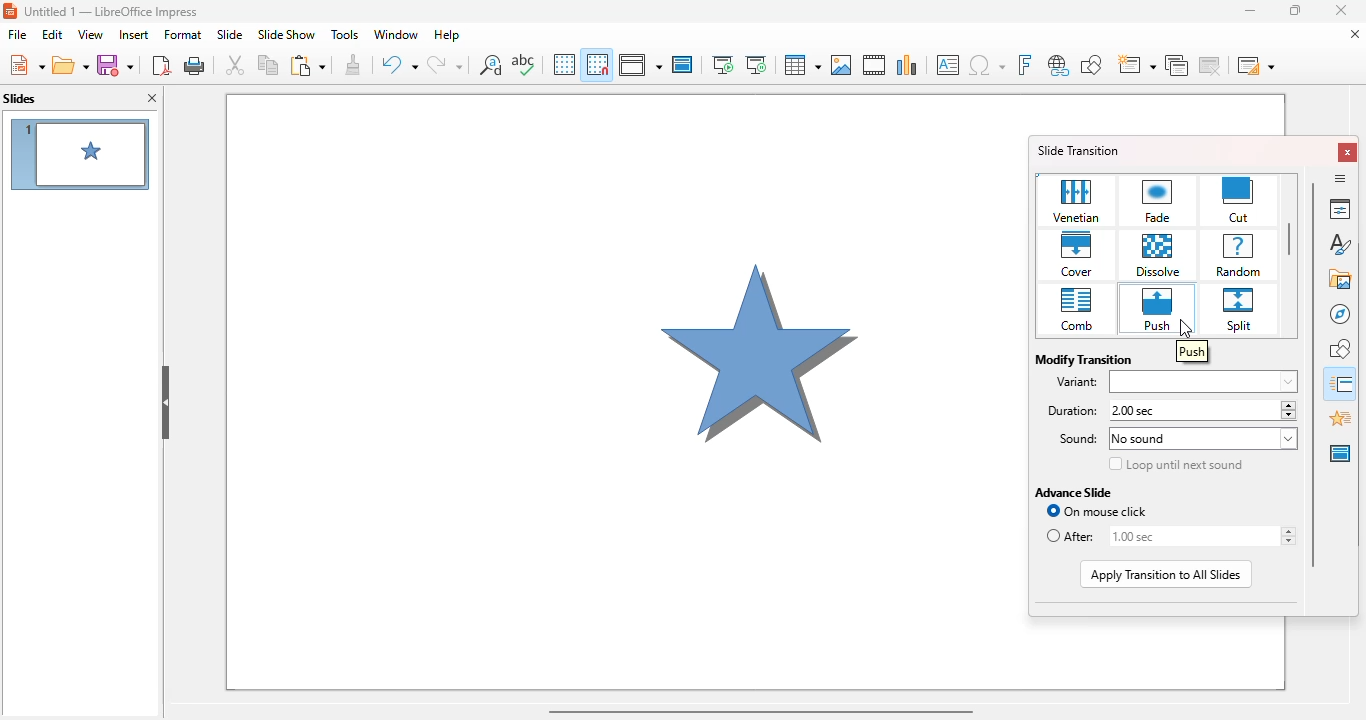 Image resolution: width=1366 pixels, height=720 pixels. What do you see at coordinates (1071, 440) in the screenshot?
I see `sound` at bounding box center [1071, 440].